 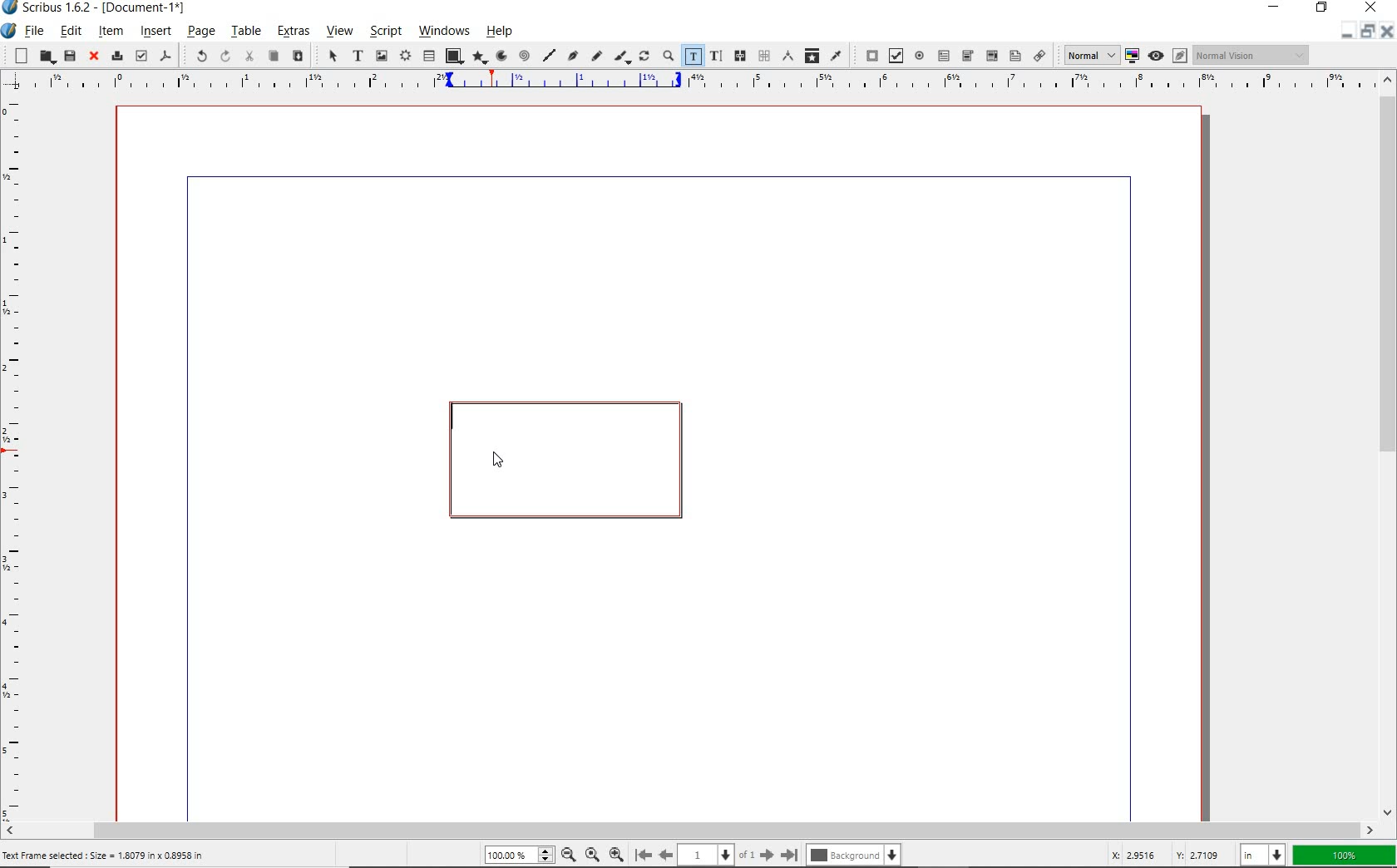 What do you see at coordinates (945, 56) in the screenshot?
I see `pdf text field` at bounding box center [945, 56].